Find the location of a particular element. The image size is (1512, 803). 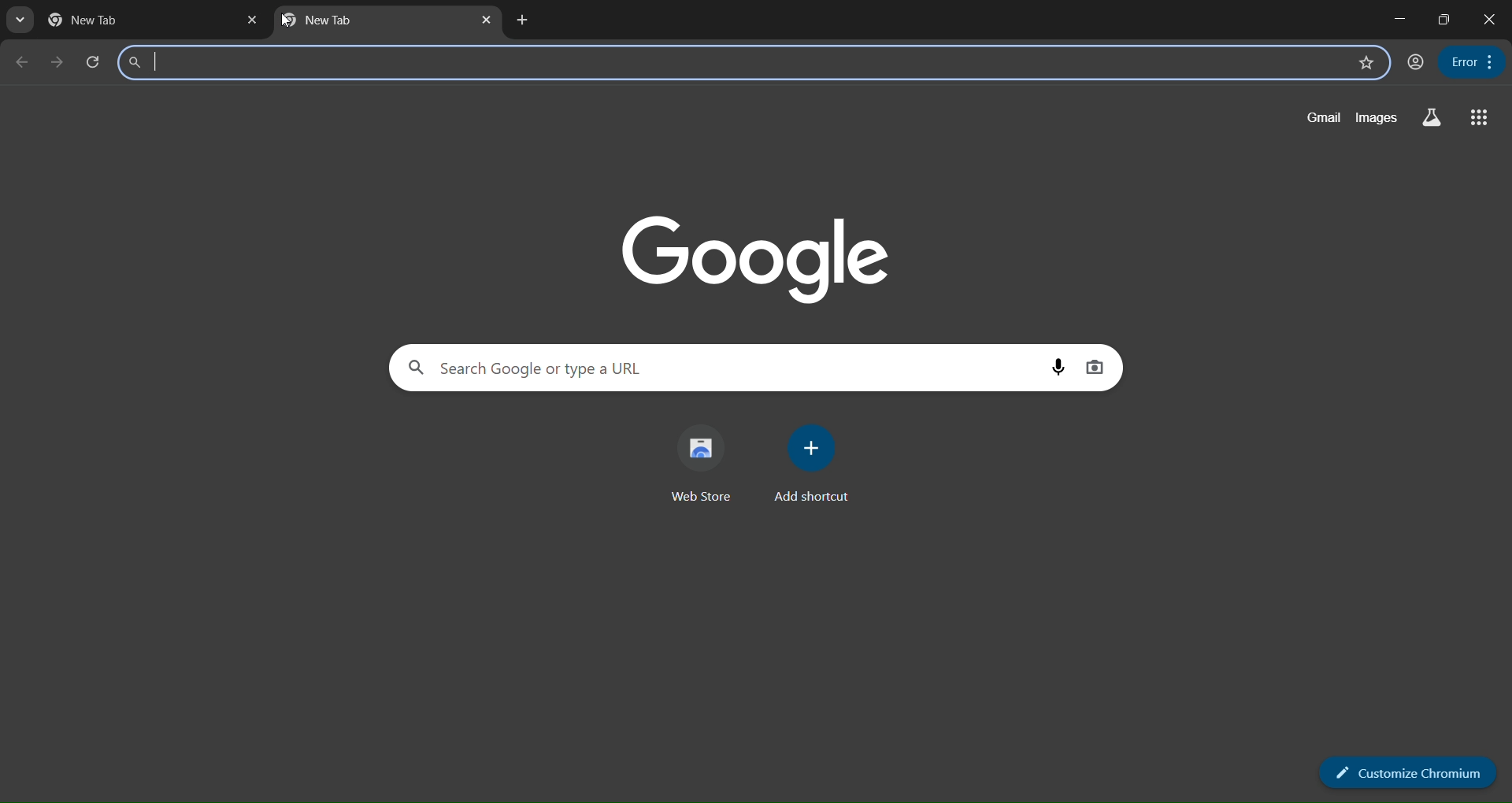

customize chromium is located at coordinates (1397, 768).